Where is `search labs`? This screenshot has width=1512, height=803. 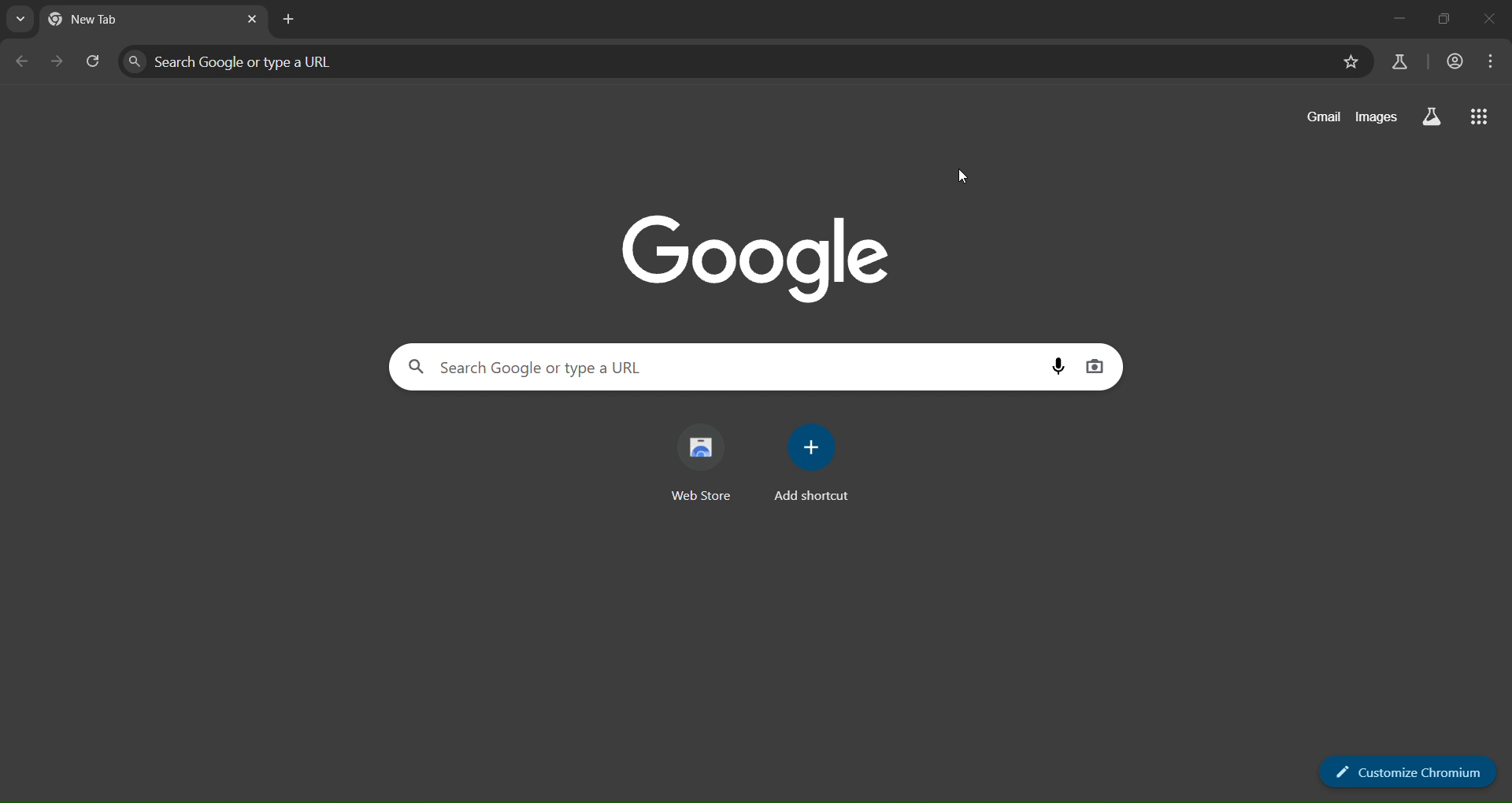
search labs is located at coordinates (1402, 62).